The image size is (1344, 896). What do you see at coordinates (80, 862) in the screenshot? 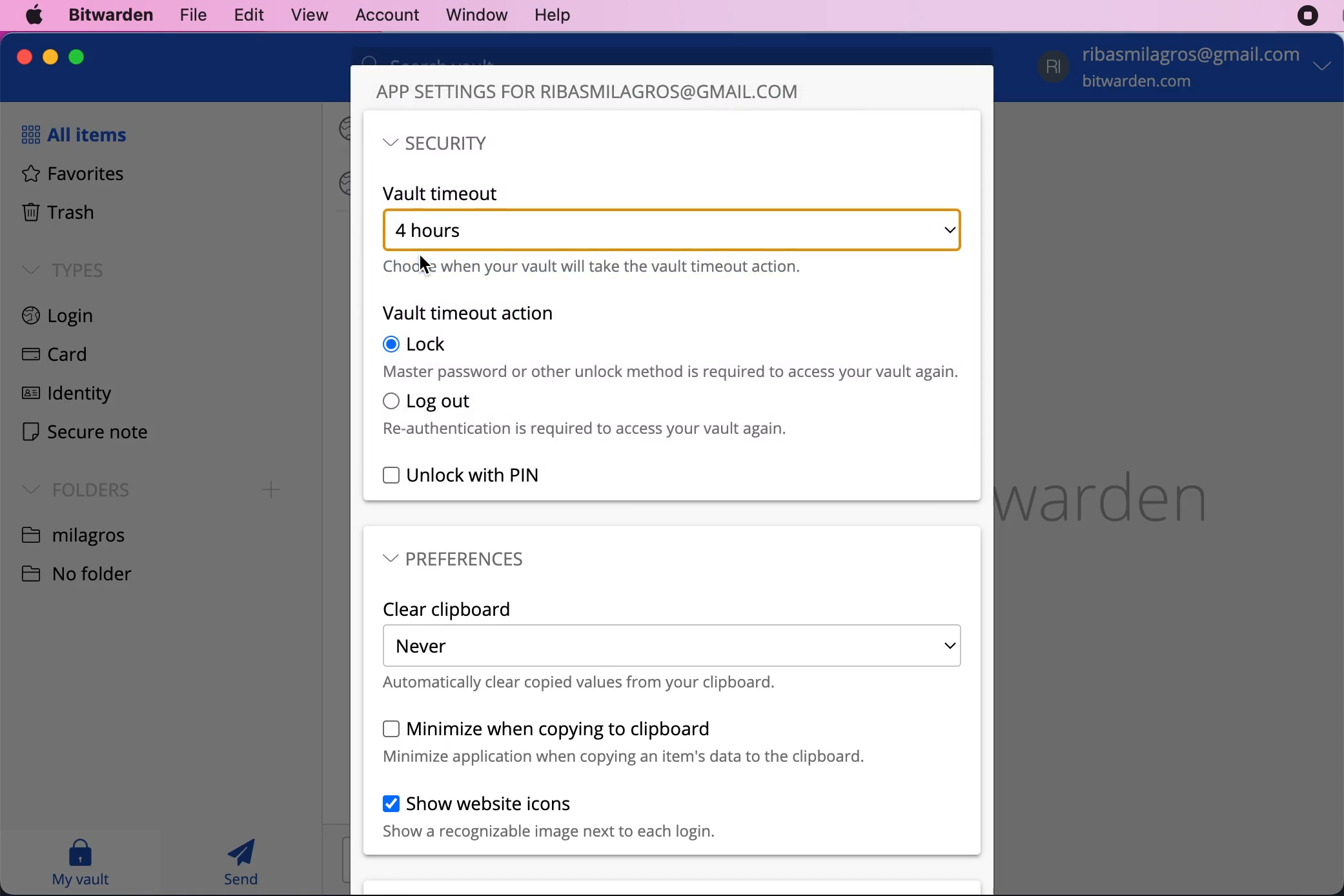
I see `my vault` at bounding box center [80, 862].